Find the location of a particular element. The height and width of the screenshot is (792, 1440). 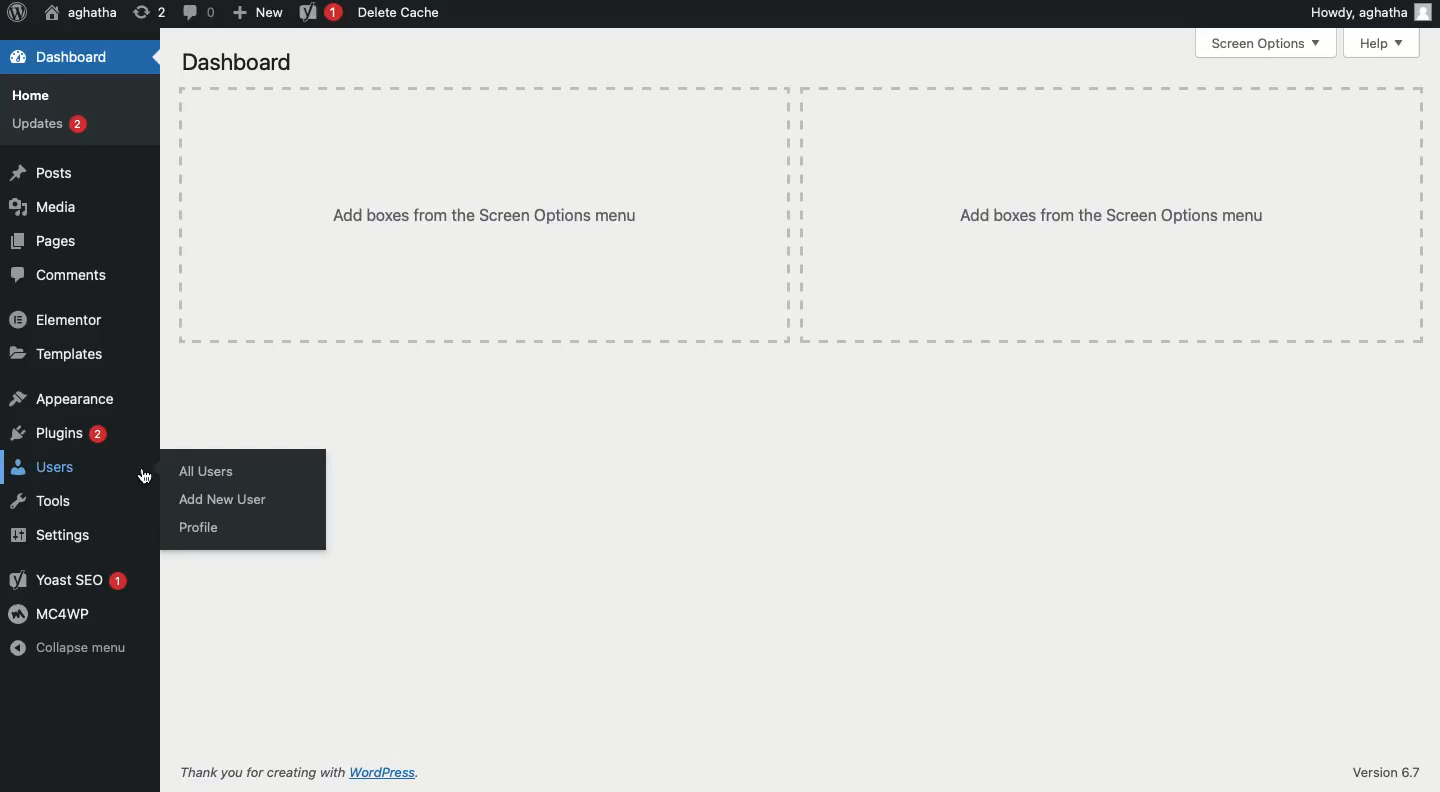

Cursor is located at coordinates (143, 476).